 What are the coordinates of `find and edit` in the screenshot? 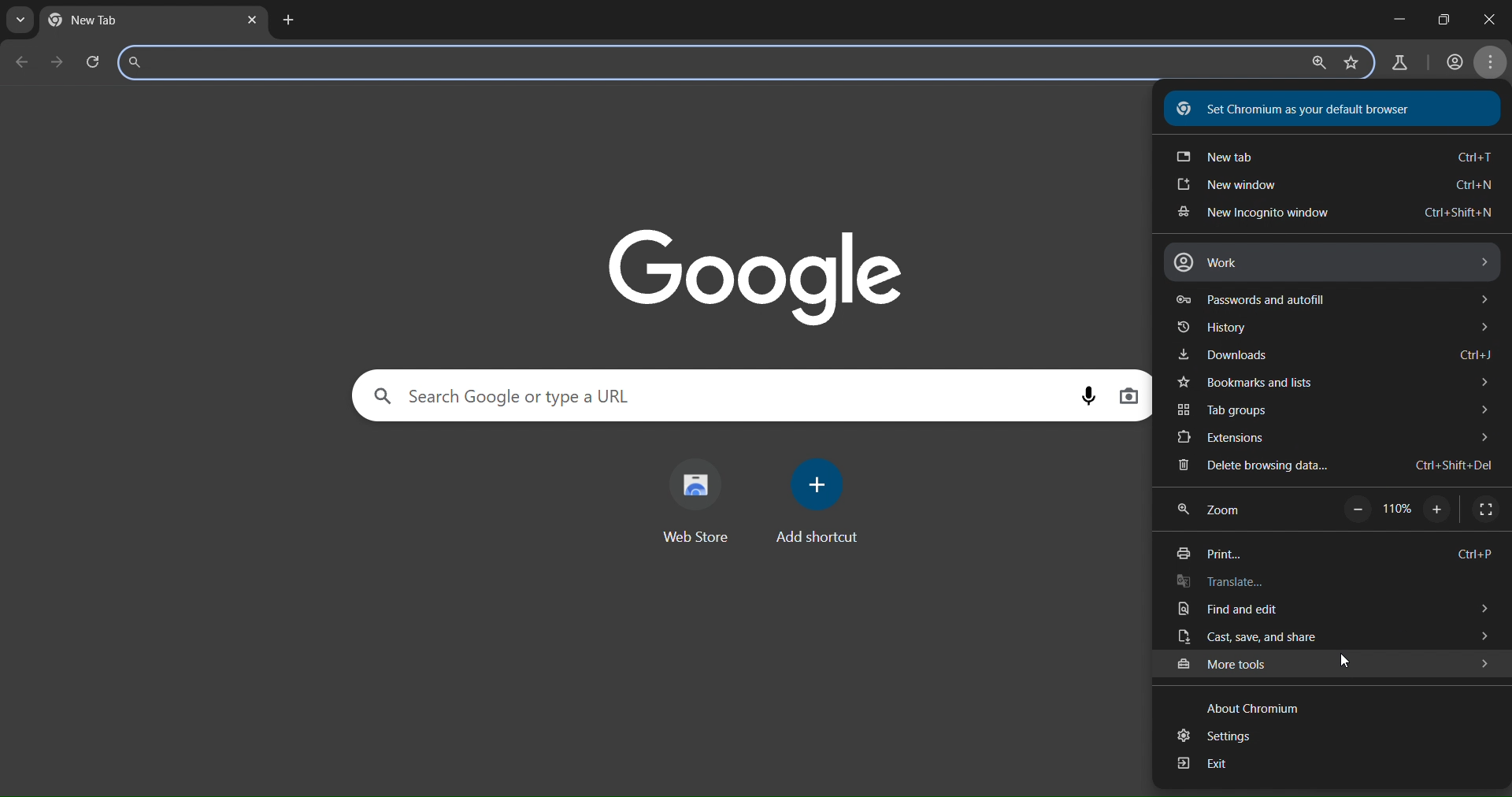 It's located at (1329, 610).